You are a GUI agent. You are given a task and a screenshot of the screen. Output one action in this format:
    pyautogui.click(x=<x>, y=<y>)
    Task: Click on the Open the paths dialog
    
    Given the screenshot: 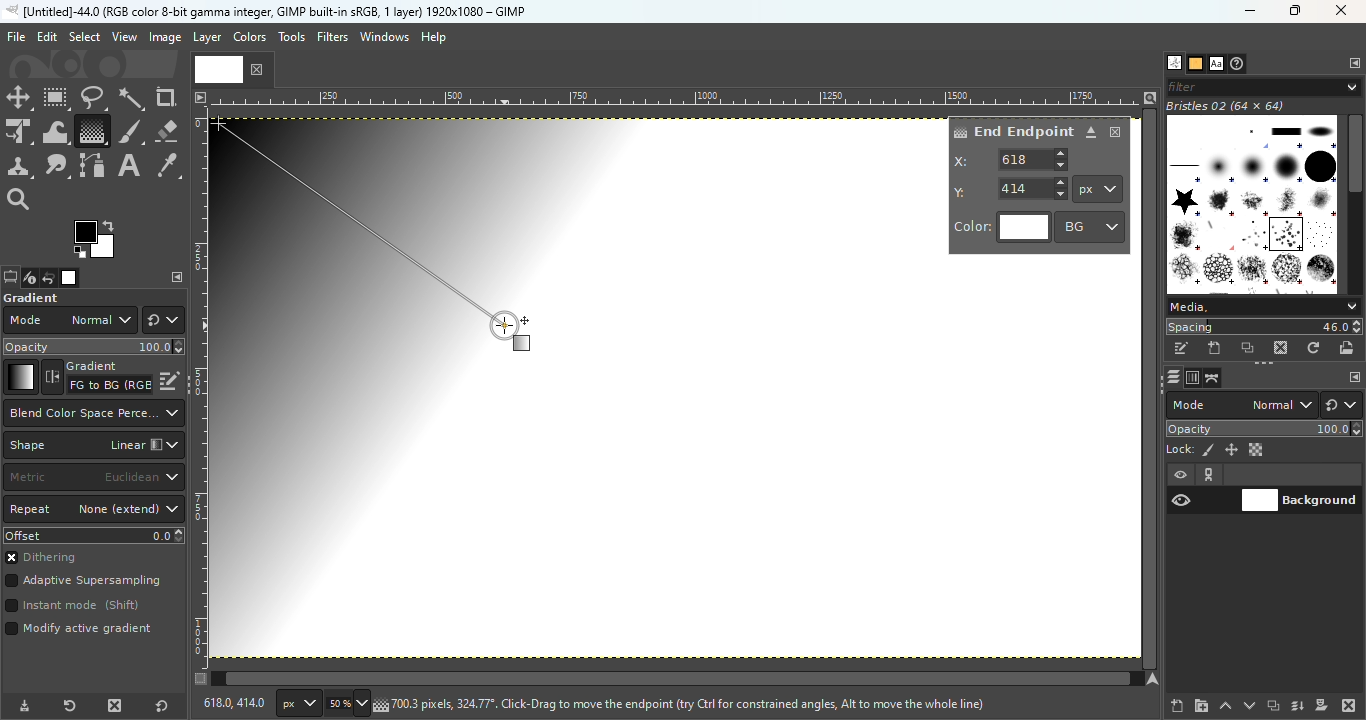 What is the action you would take?
    pyautogui.click(x=1213, y=378)
    